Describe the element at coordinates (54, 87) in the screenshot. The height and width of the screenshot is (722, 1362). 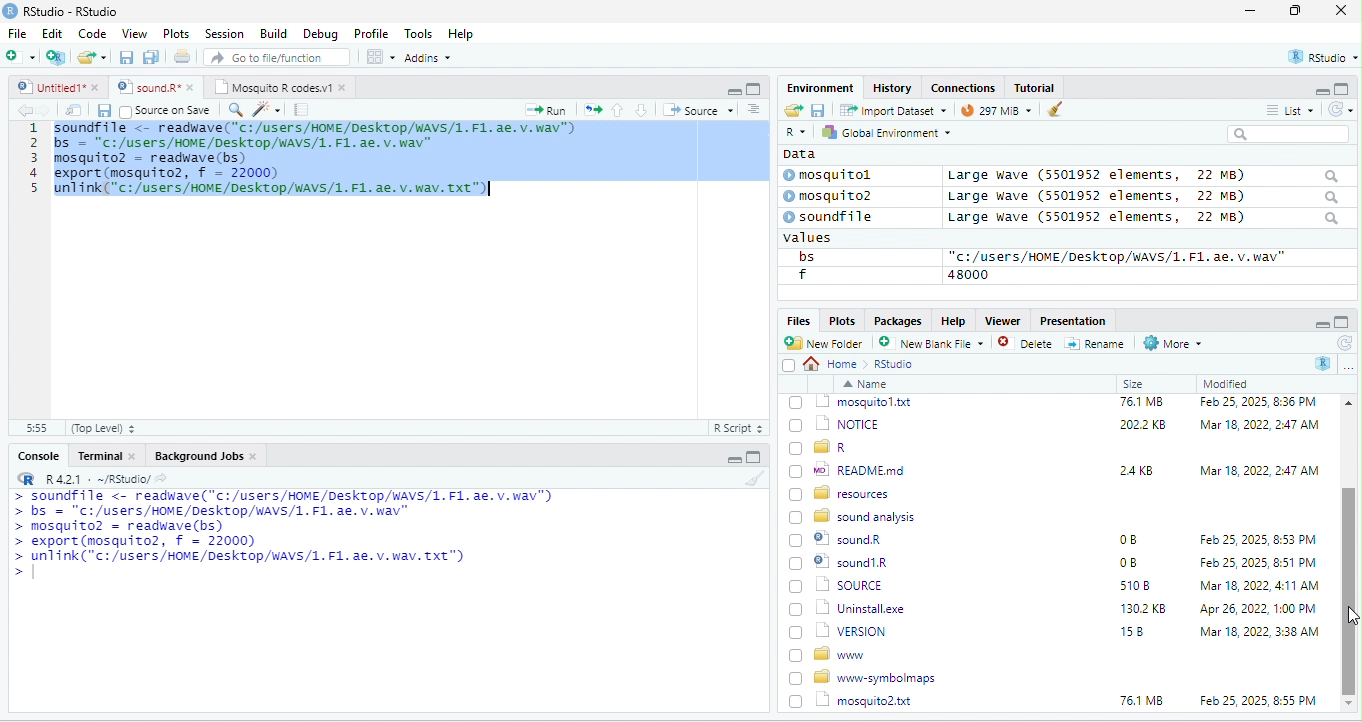
I see `© Untitied1* »` at that location.